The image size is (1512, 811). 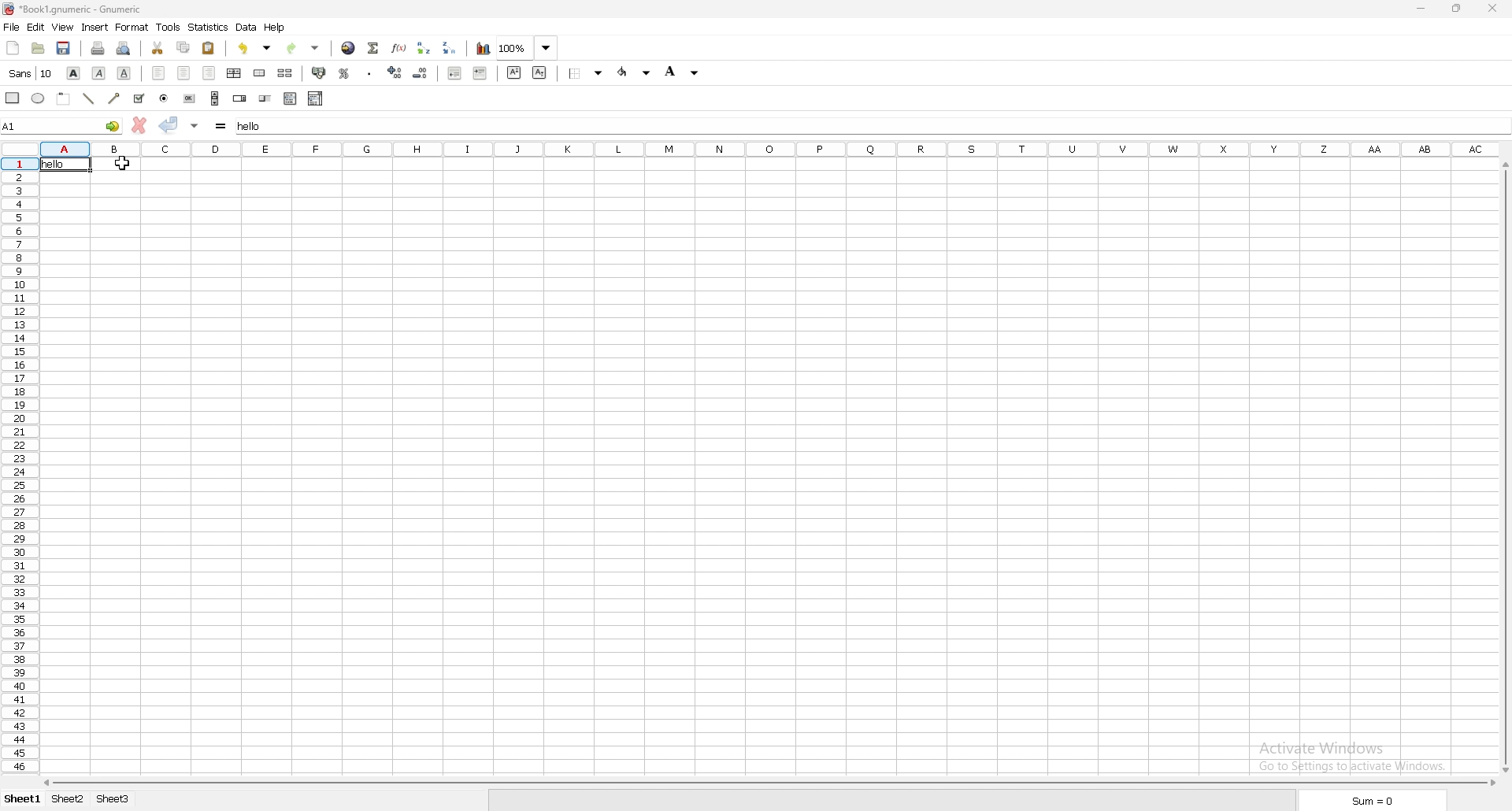 I want to click on data, so click(x=246, y=28).